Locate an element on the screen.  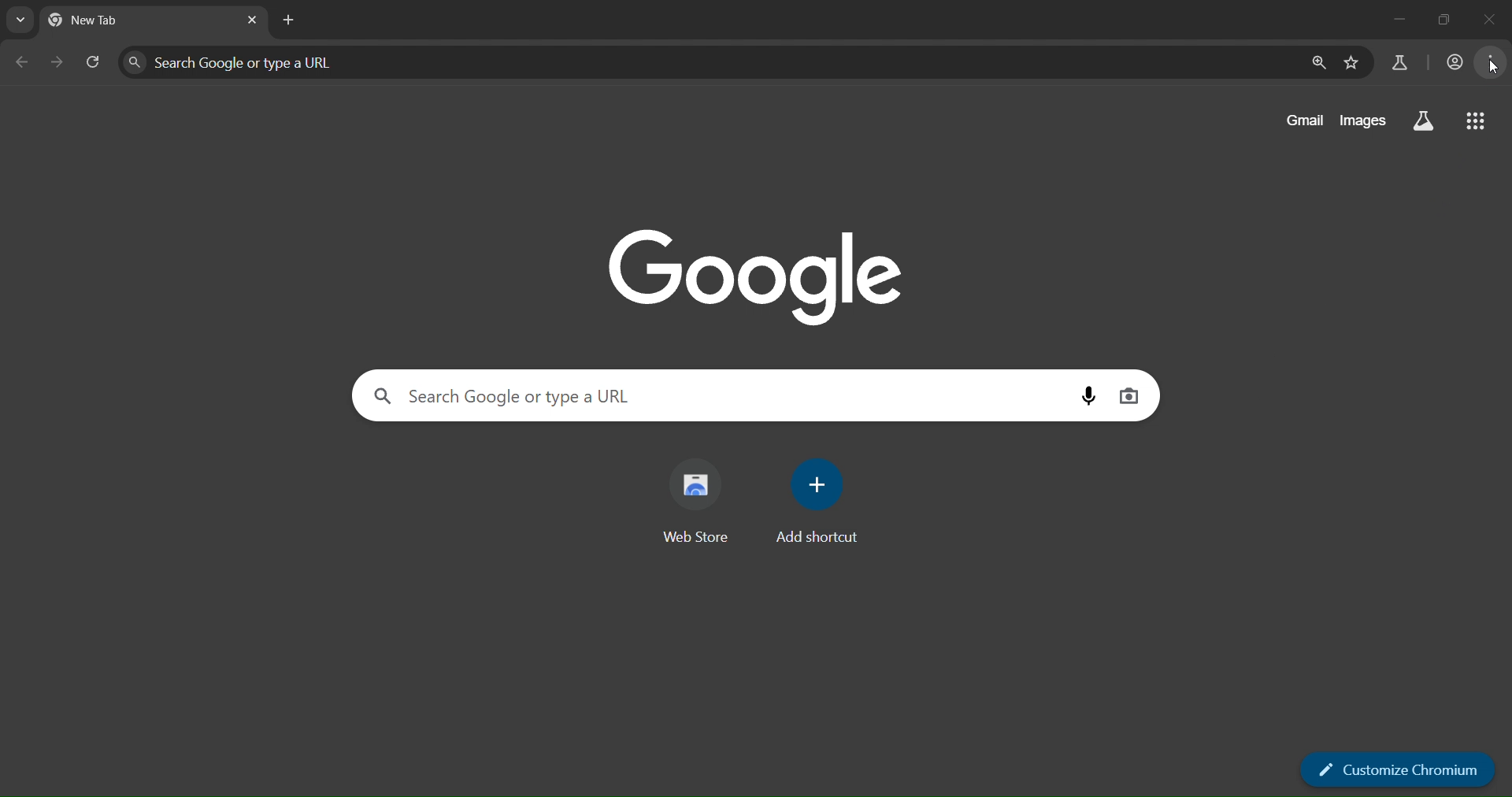
new tab is located at coordinates (106, 20).